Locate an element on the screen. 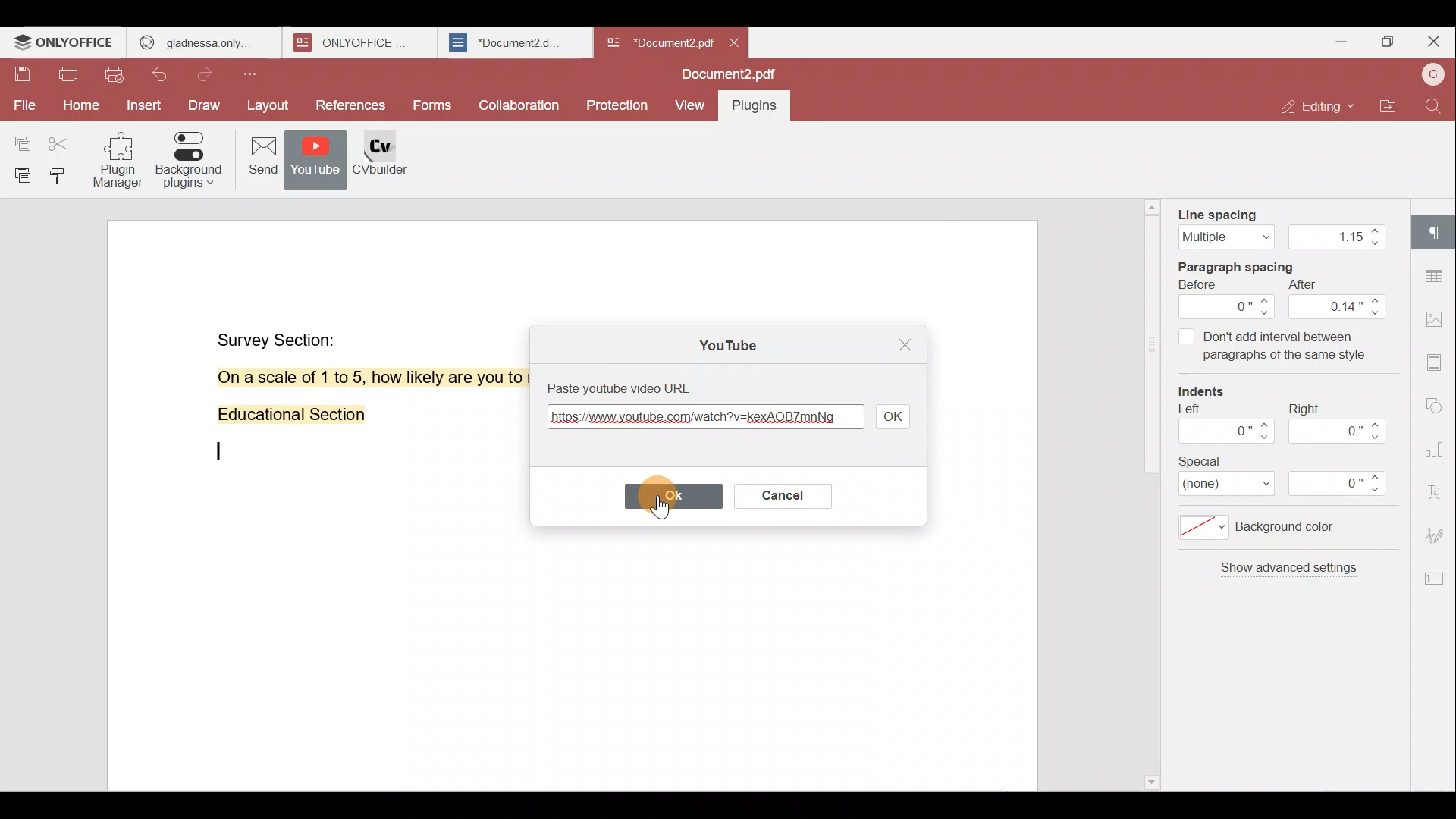  YouTube is located at coordinates (723, 343).